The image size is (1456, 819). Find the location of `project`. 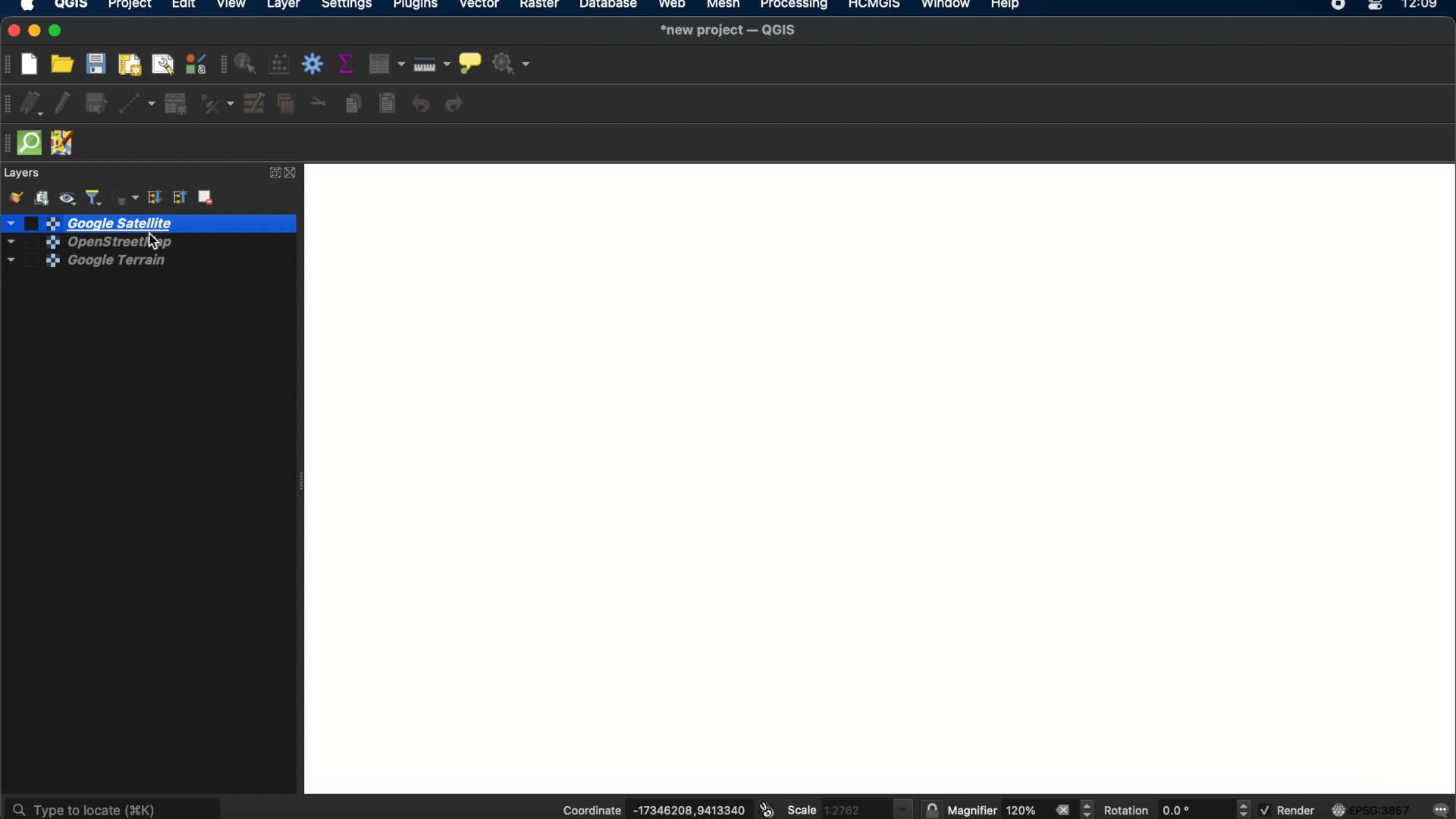

project is located at coordinates (129, 6).